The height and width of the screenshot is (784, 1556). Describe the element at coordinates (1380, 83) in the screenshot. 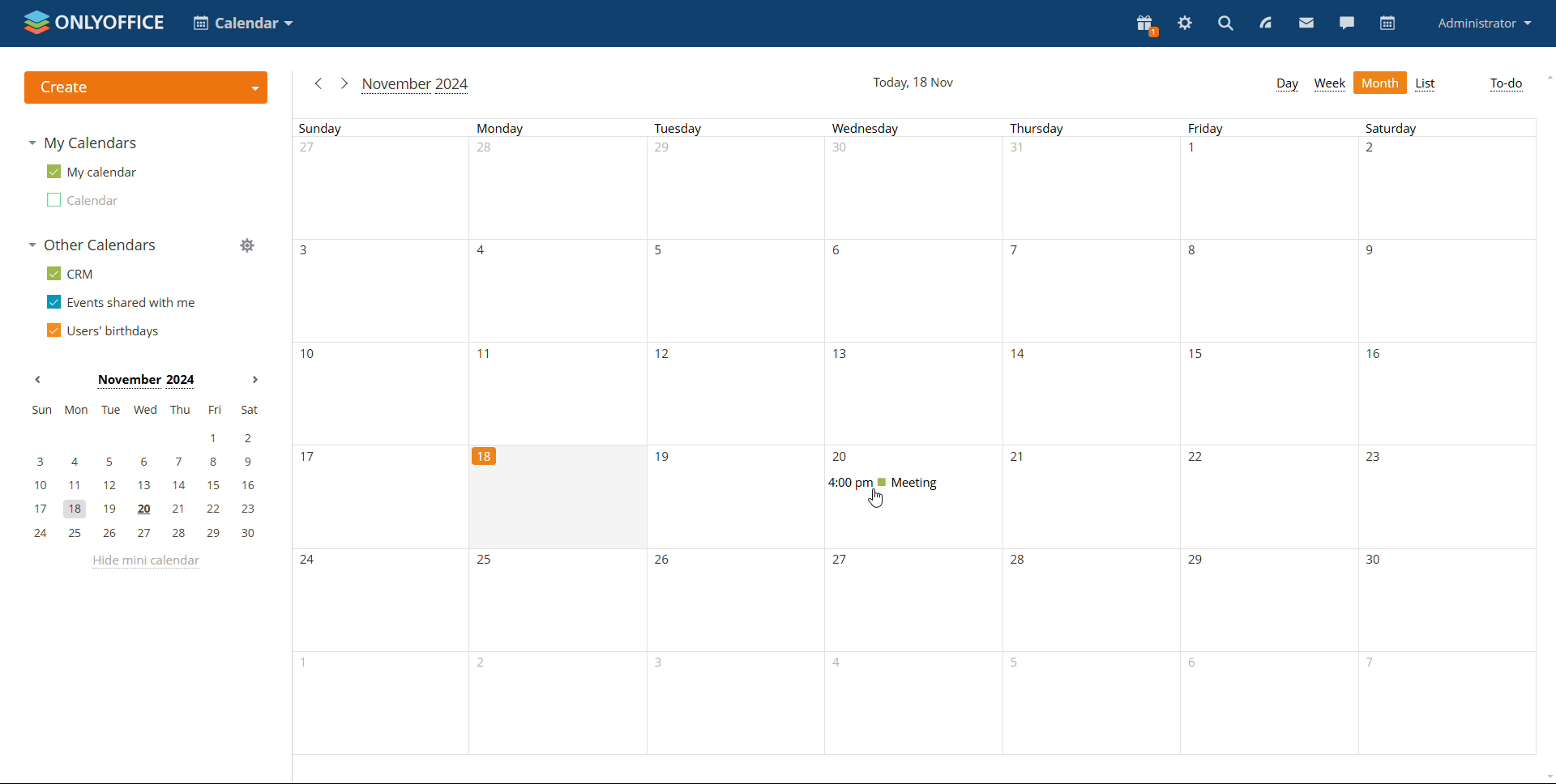

I see `month view` at that location.